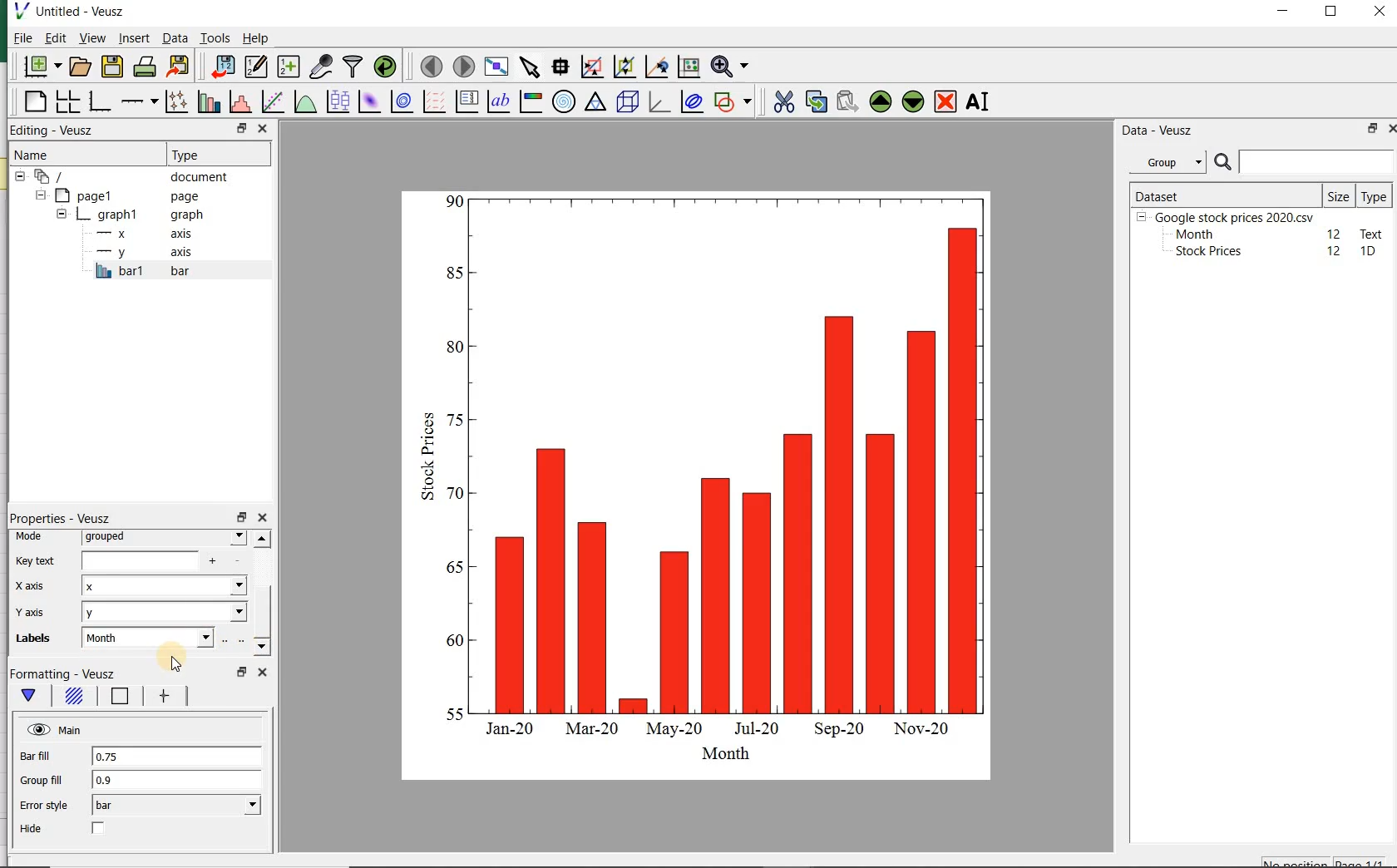  Describe the element at coordinates (847, 102) in the screenshot. I see `paste widget from the clipboard` at that location.